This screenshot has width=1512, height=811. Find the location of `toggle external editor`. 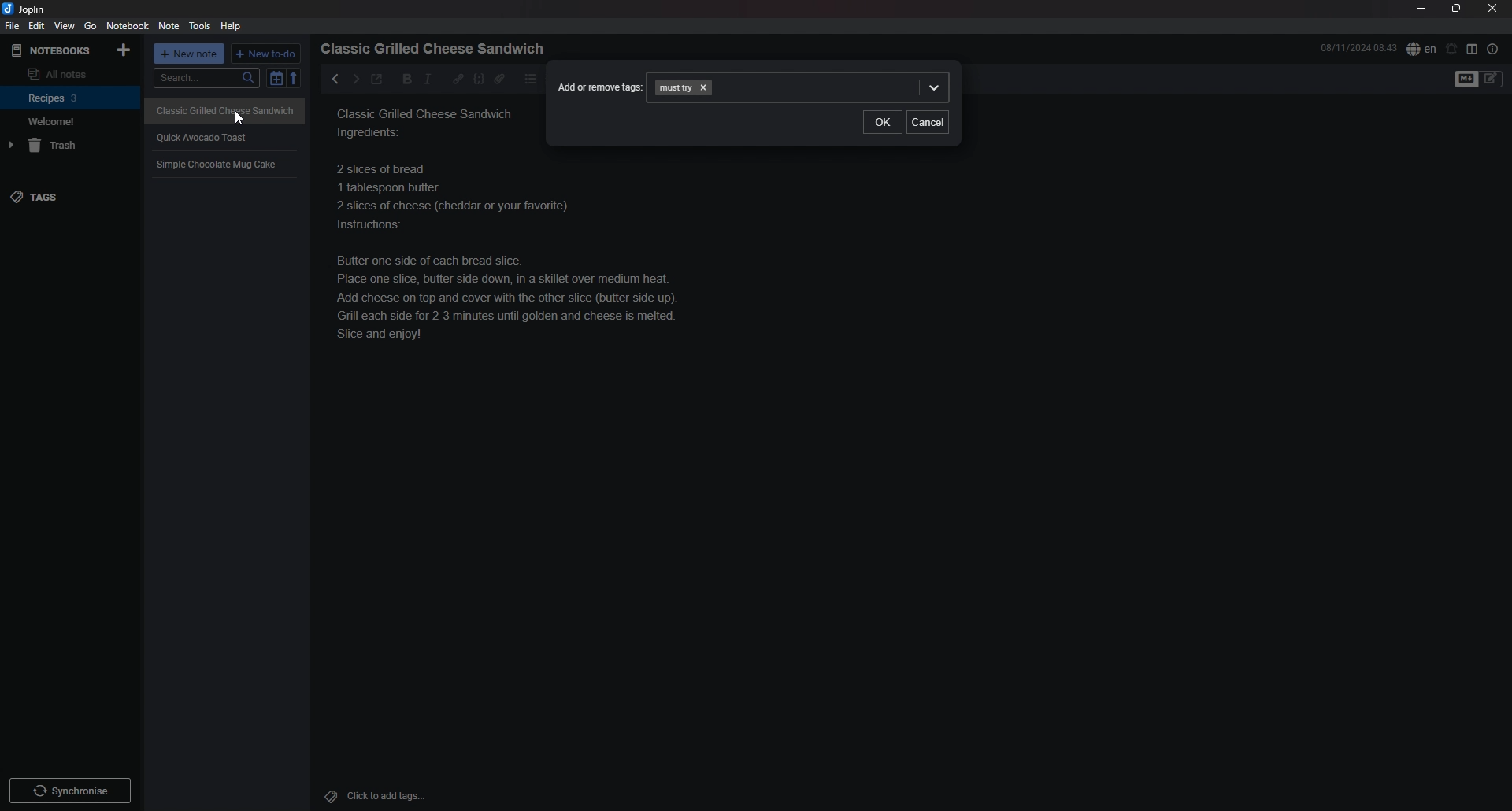

toggle external editor is located at coordinates (376, 81).